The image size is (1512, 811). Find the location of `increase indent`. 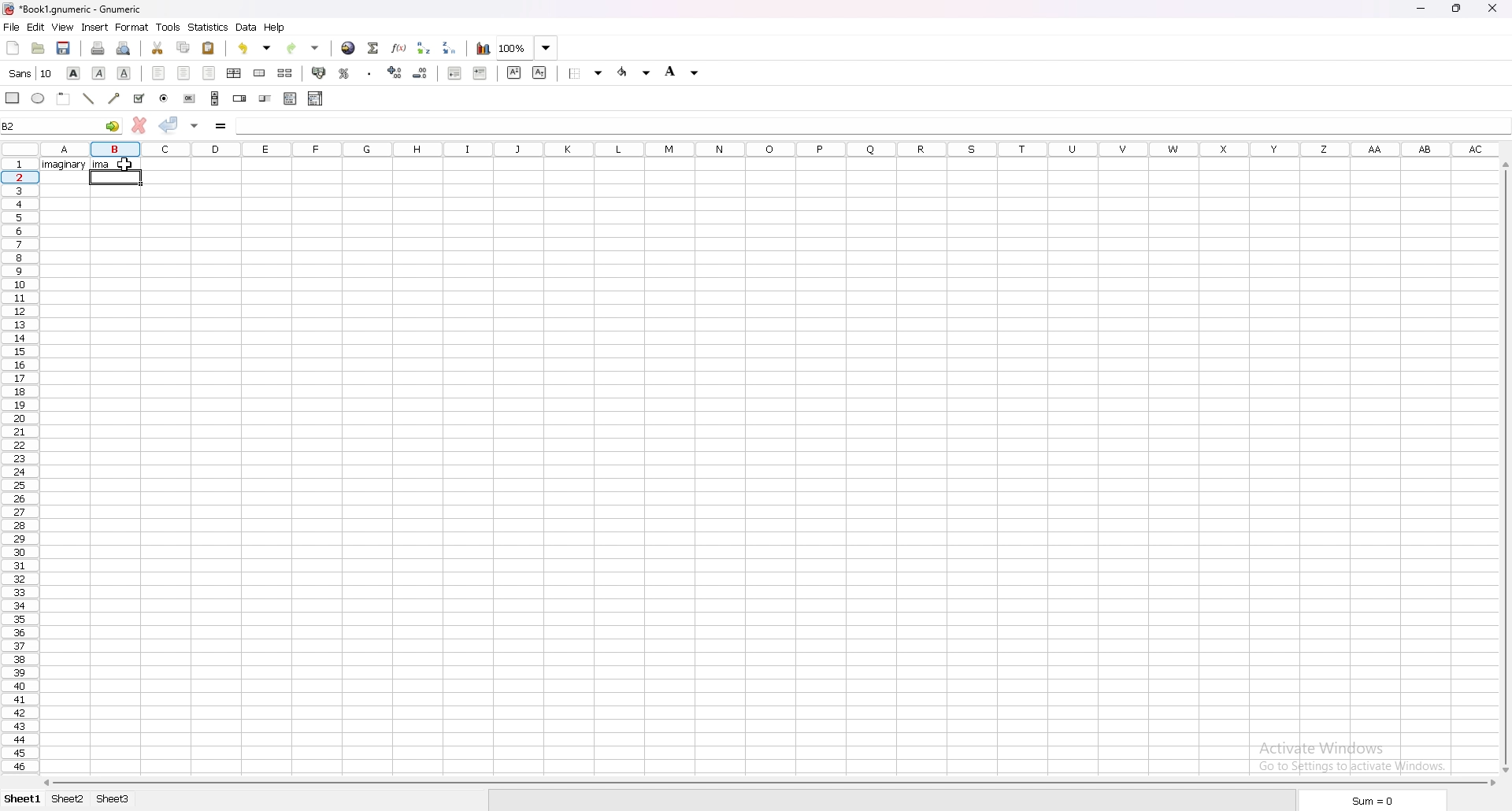

increase indent is located at coordinates (480, 73).